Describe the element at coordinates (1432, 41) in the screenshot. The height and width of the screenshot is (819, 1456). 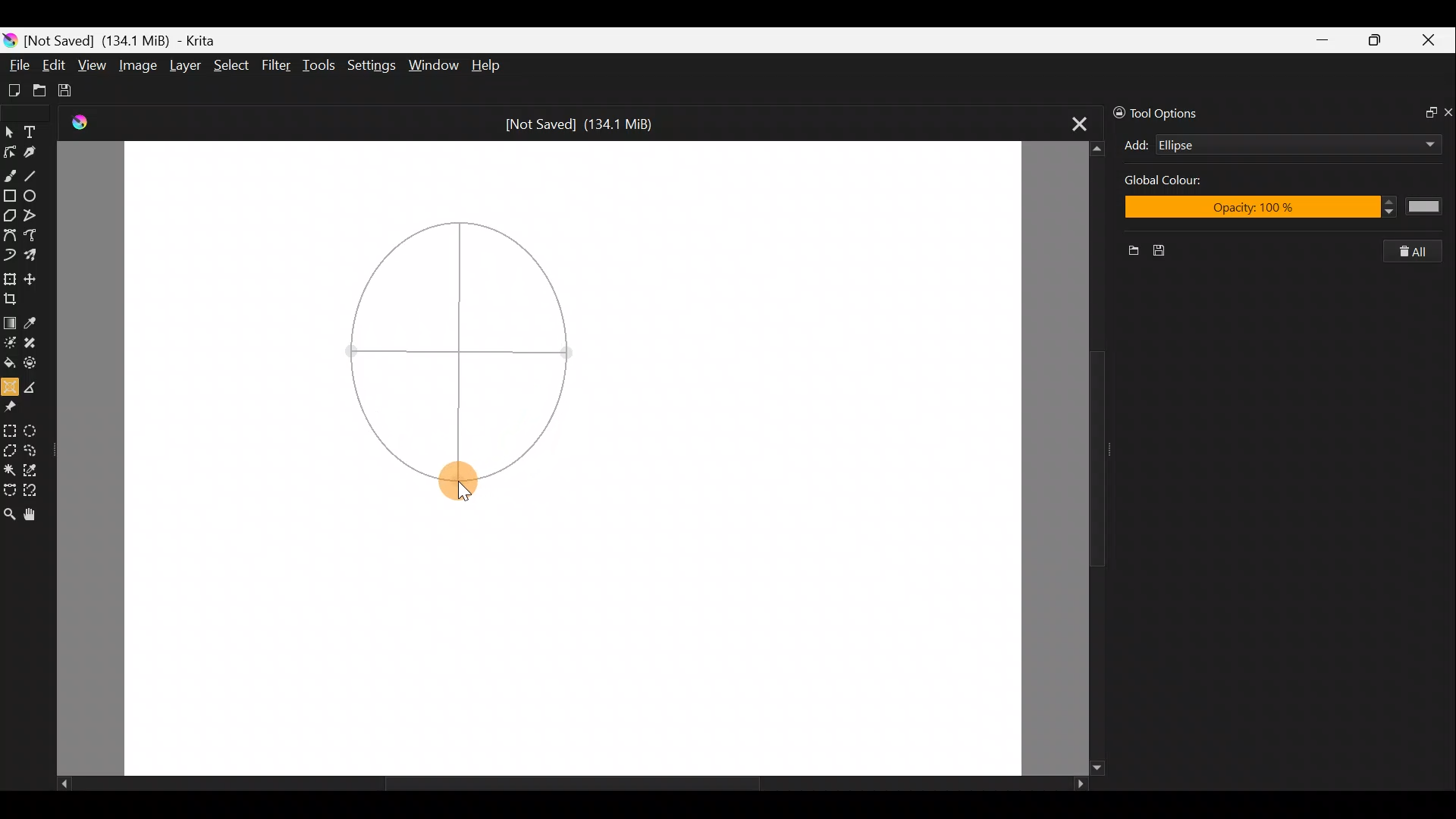
I see `Close` at that location.